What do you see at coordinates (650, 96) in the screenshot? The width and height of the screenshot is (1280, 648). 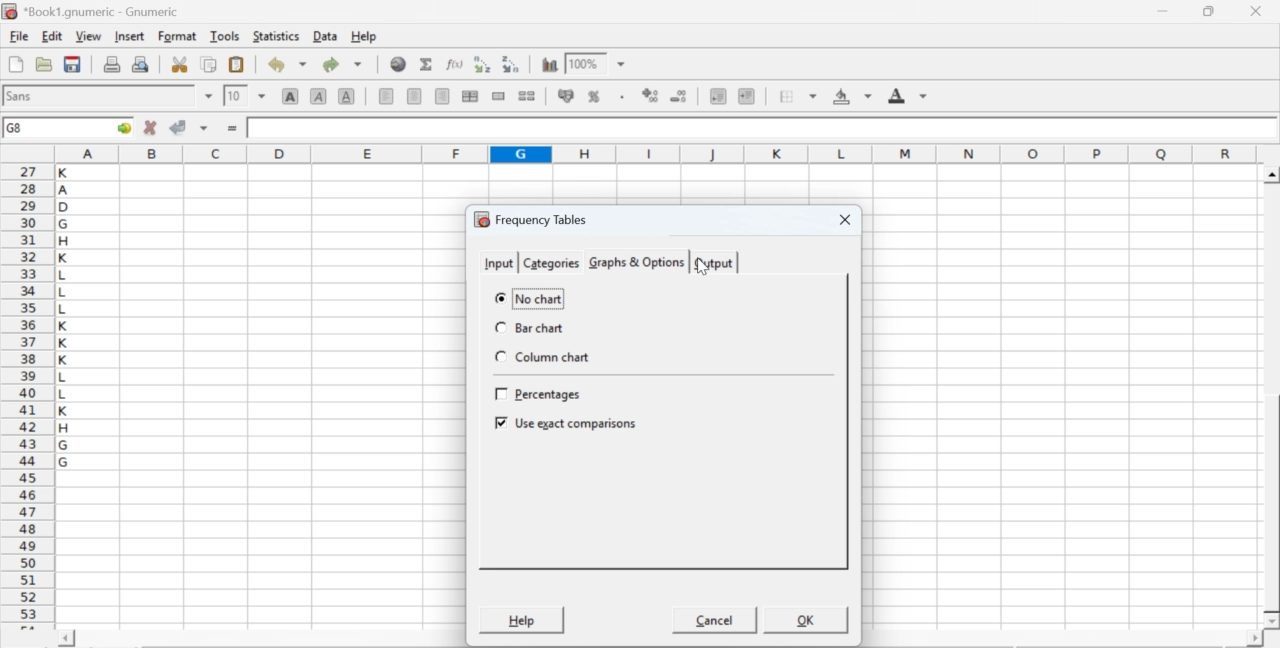 I see `decrease number of decimals displayed` at bounding box center [650, 96].